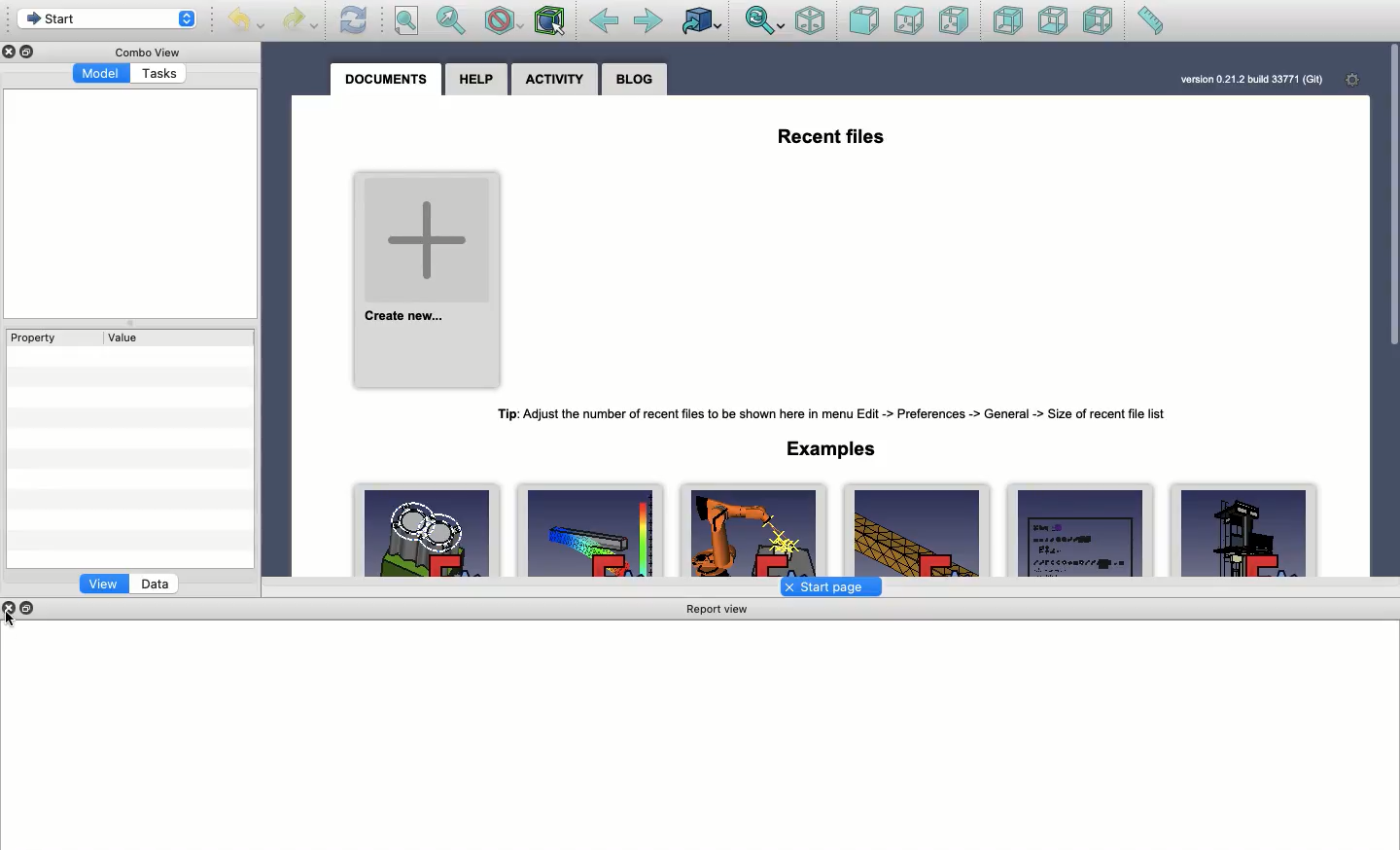 The height and width of the screenshot is (850, 1400). I want to click on Activity , so click(553, 81).